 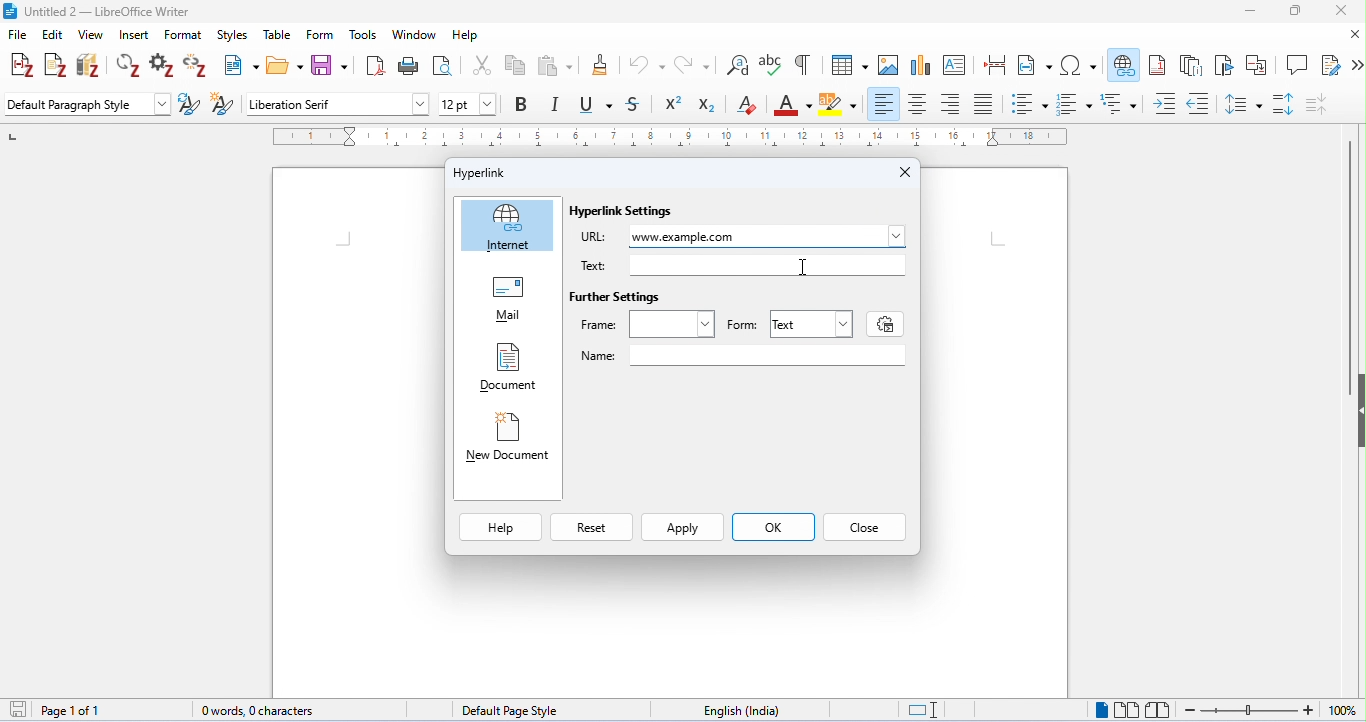 What do you see at coordinates (602, 65) in the screenshot?
I see `clone` at bounding box center [602, 65].